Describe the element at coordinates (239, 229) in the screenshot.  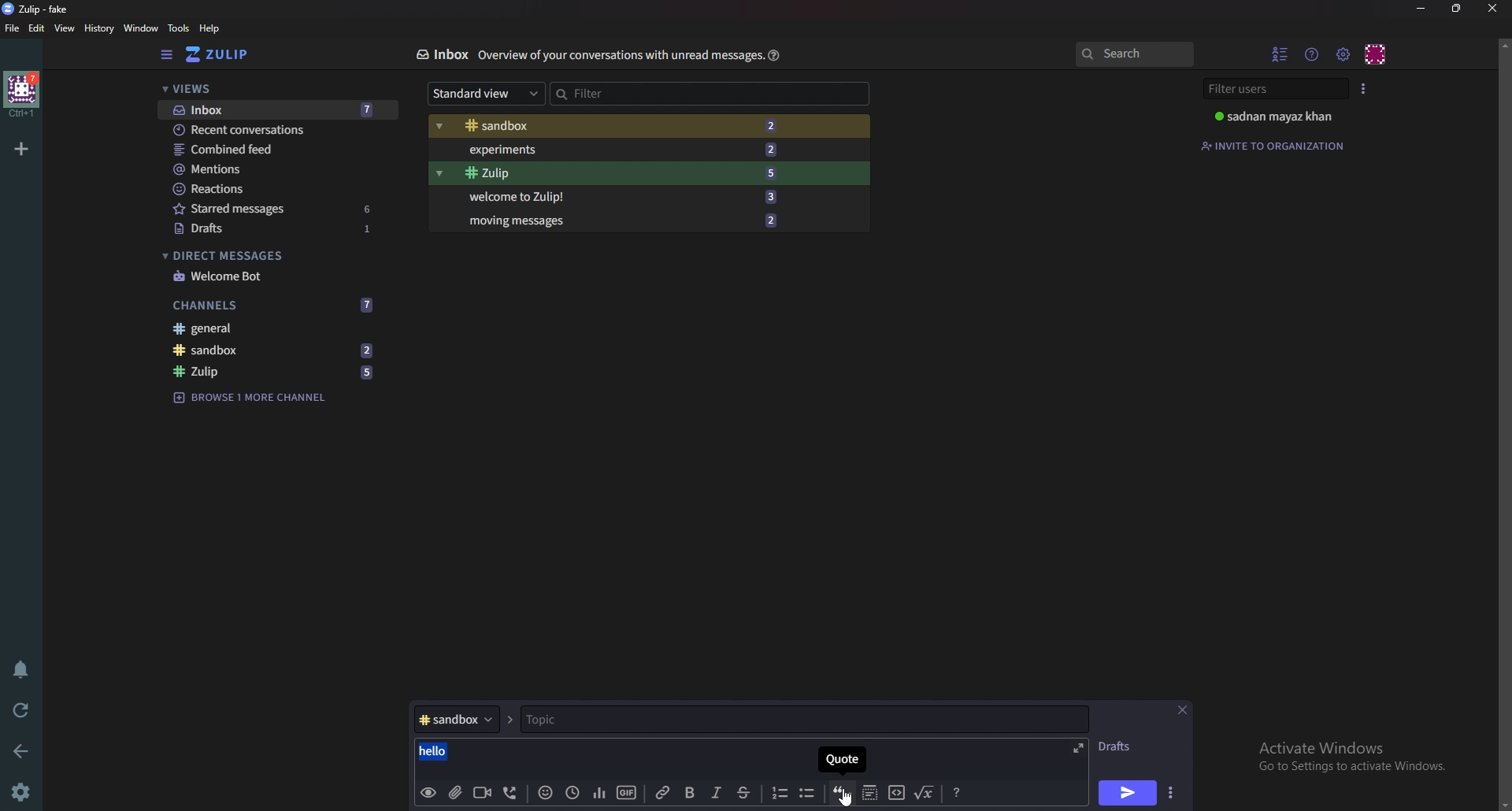
I see `Drafts` at that location.